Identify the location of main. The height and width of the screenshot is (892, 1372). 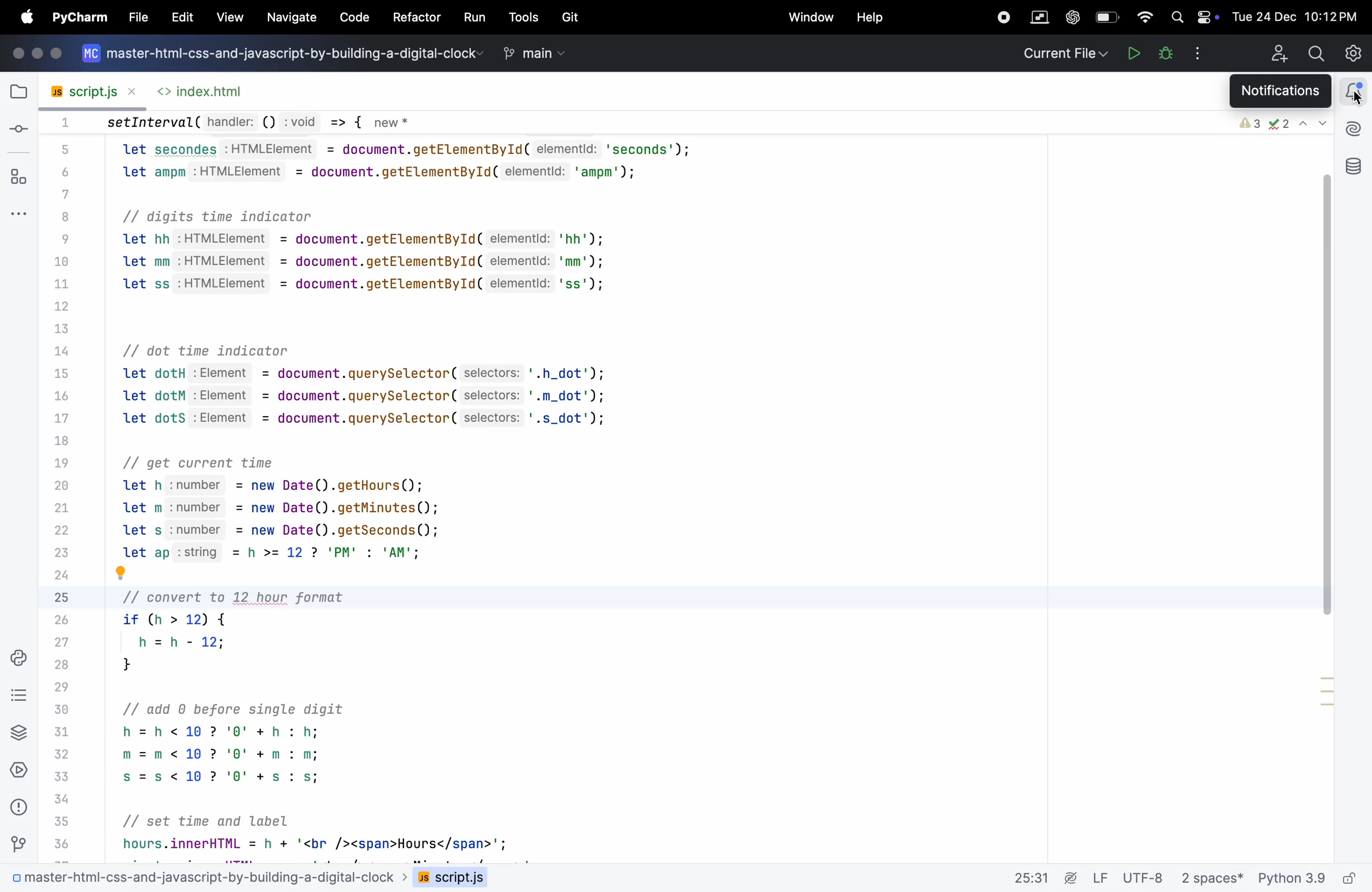
(529, 53).